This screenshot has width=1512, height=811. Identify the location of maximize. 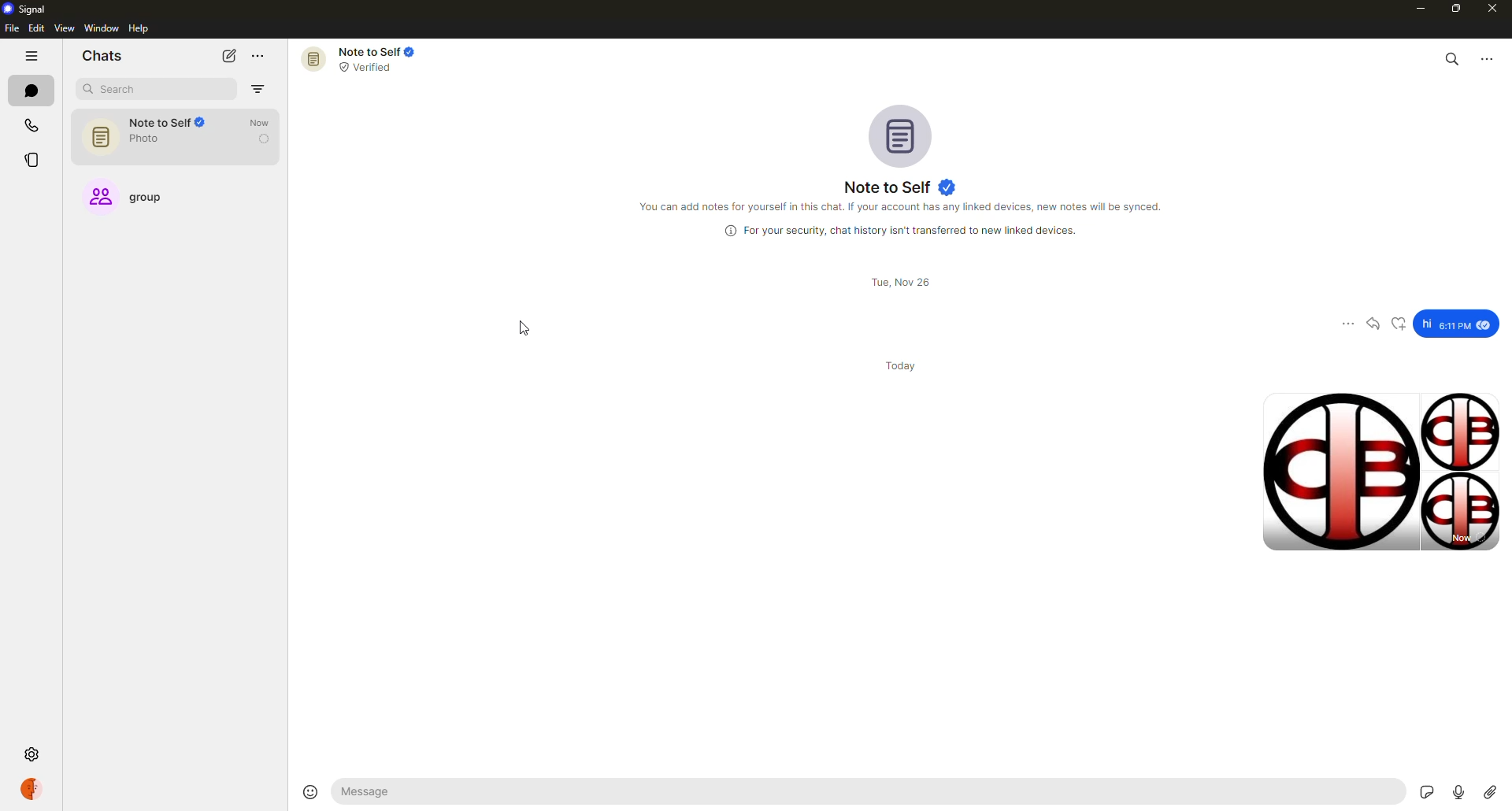
(1456, 12).